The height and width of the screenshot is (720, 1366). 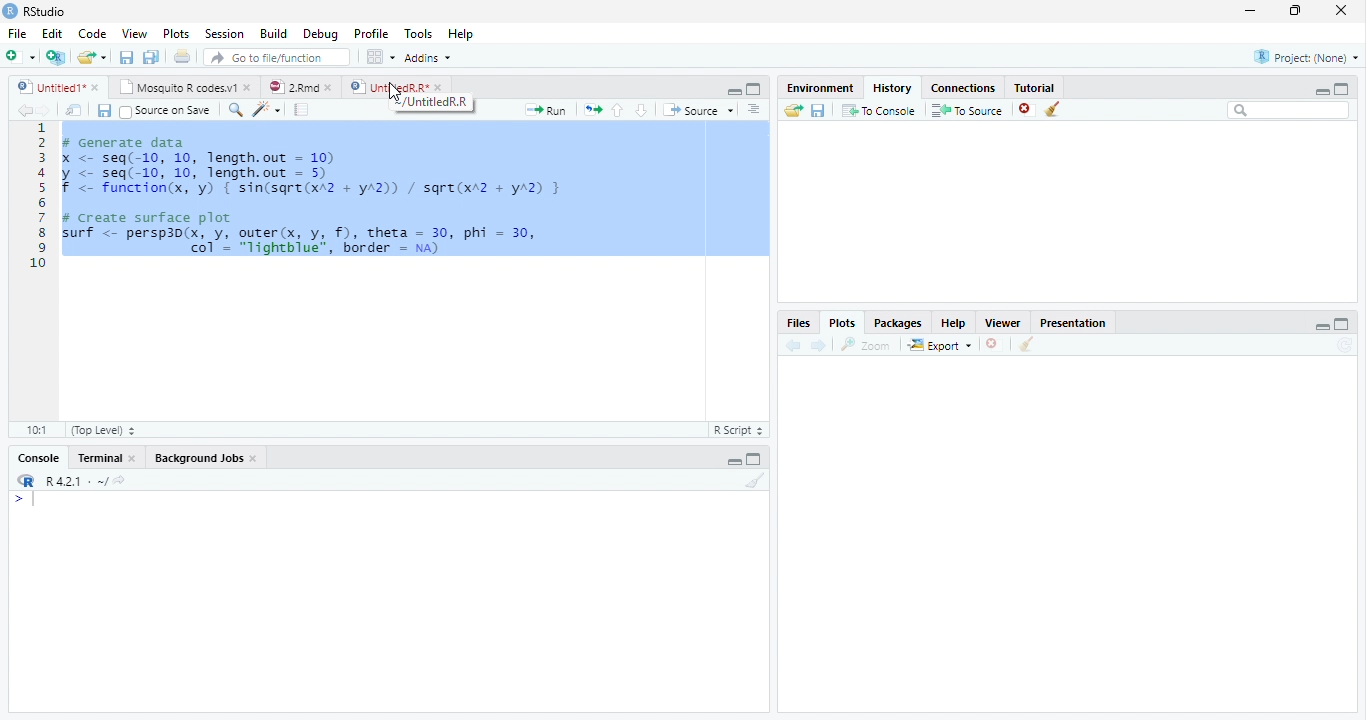 I want to click on minimize, so click(x=1322, y=91).